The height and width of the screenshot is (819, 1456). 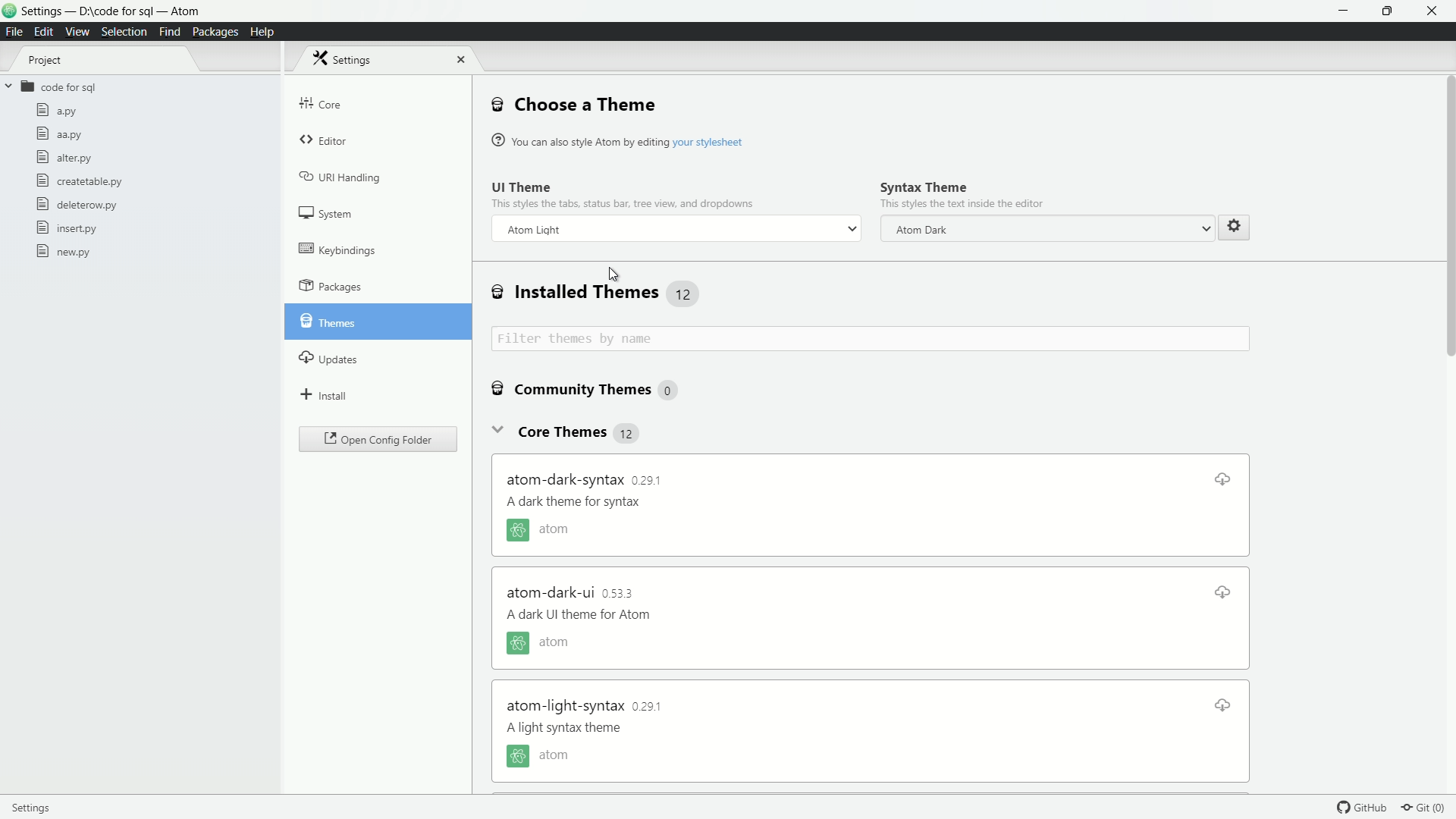 What do you see at coordinates (76, 206) in the screenshot?
I see `deleterow.py file` at bounding box center [76, 206].